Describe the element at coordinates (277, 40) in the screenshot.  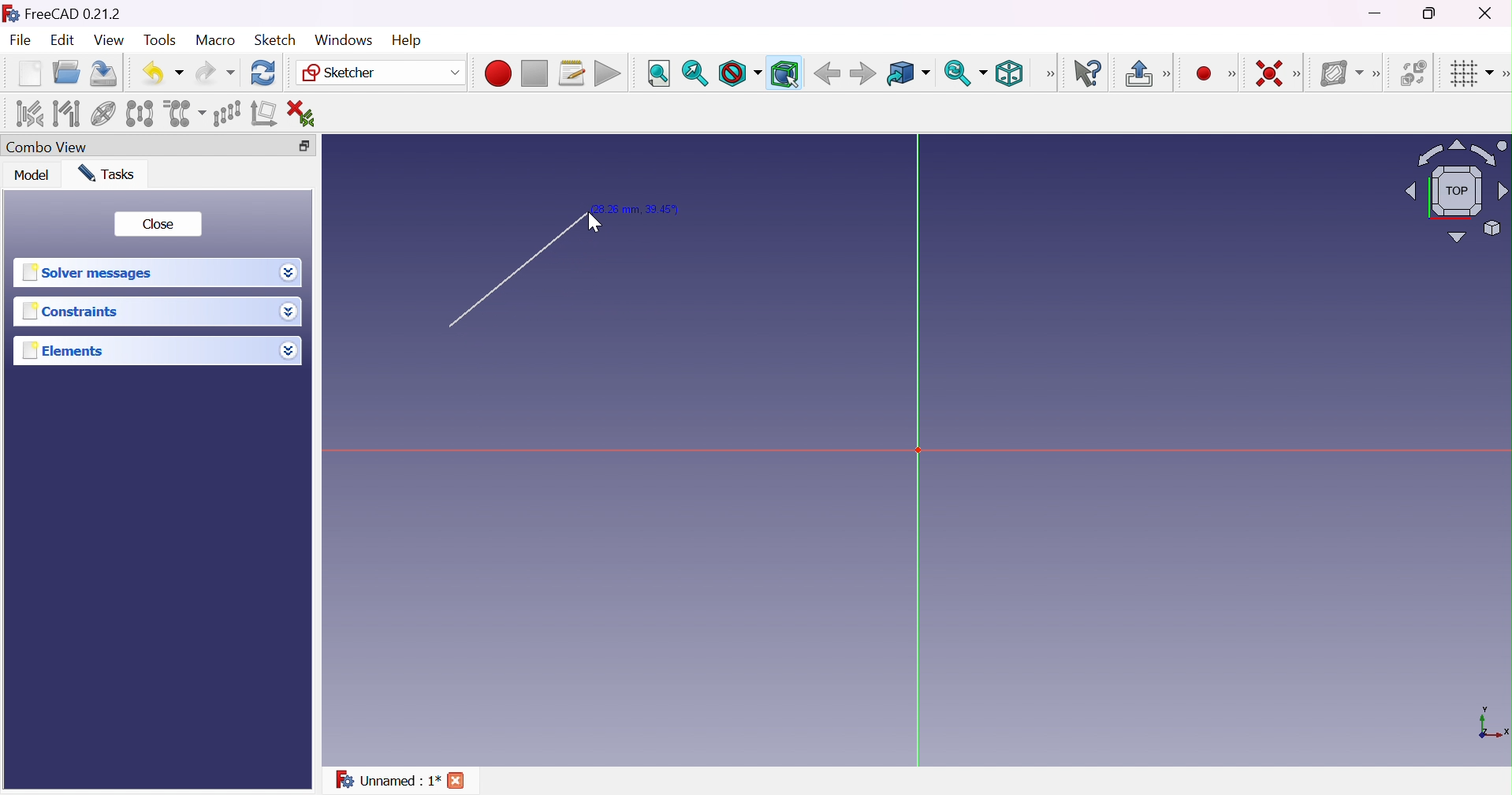
I see `Sketch` at that location.